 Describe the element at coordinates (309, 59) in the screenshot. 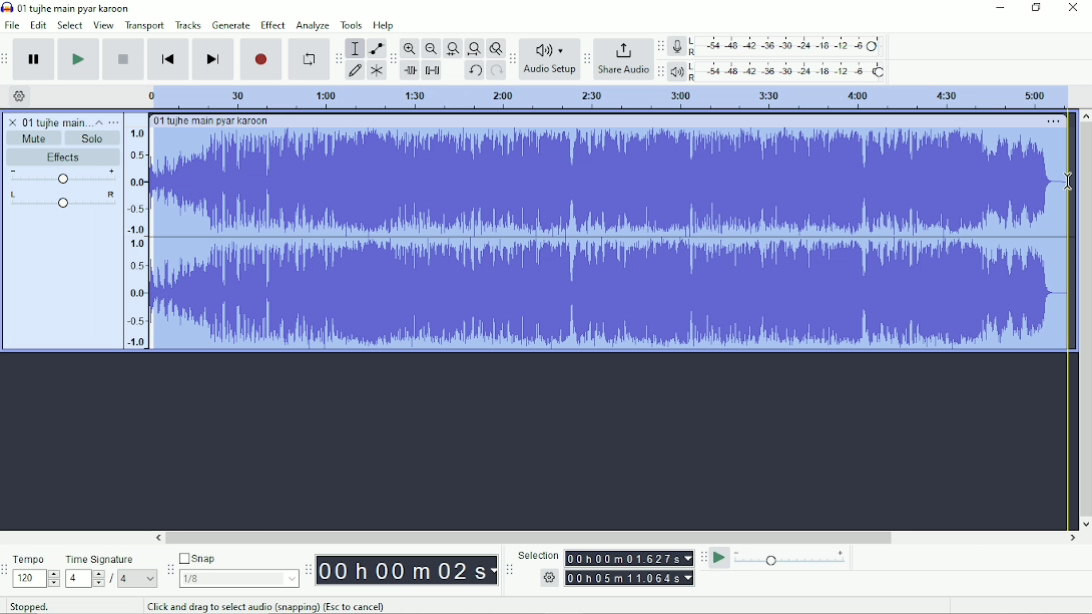

I see `Enable looping` at that location.